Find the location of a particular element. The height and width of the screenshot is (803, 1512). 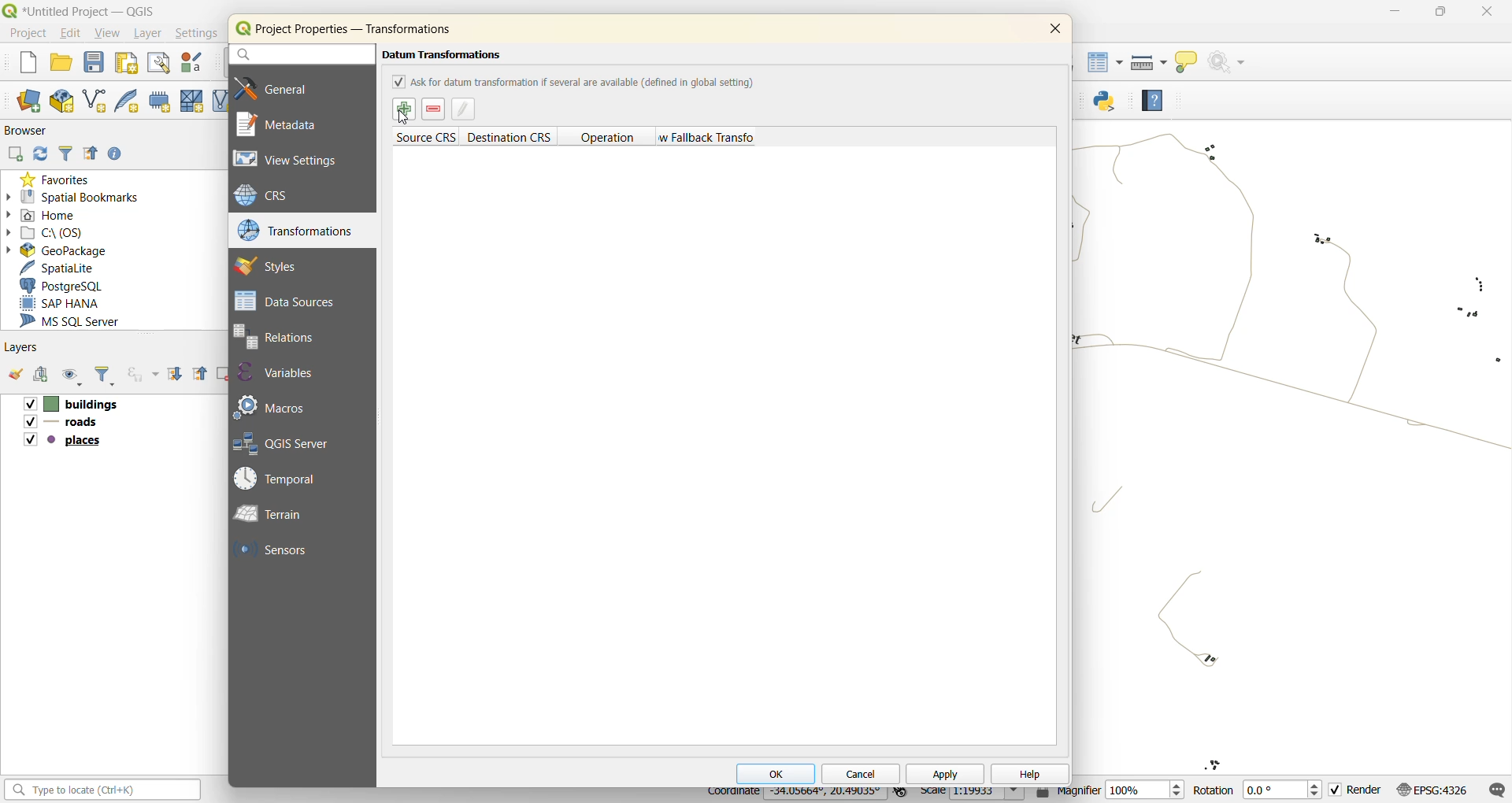

metadata is located at coordinates (285, 124).